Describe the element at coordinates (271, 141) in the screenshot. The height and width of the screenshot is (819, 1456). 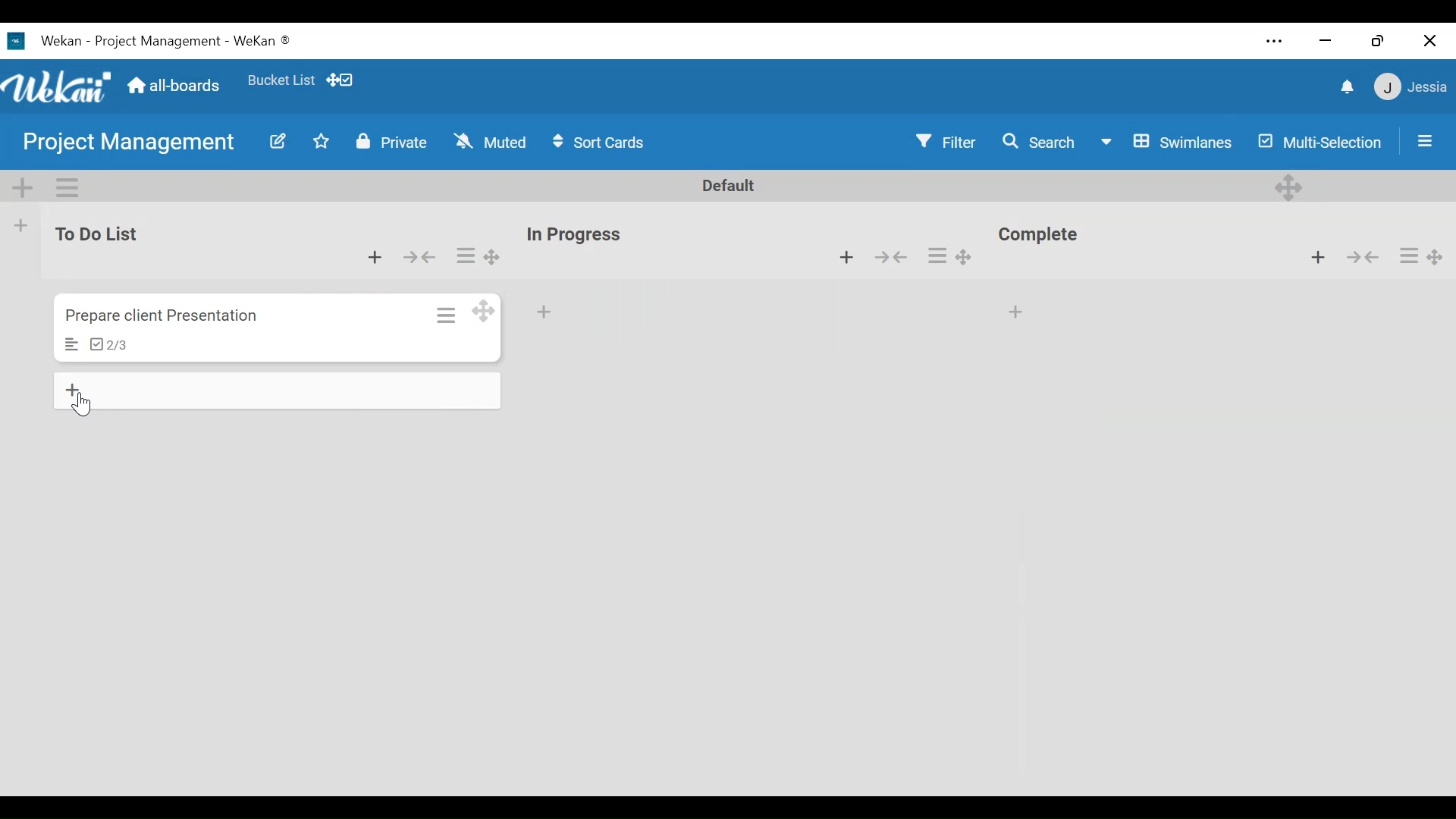
I see `Edit` at that location.